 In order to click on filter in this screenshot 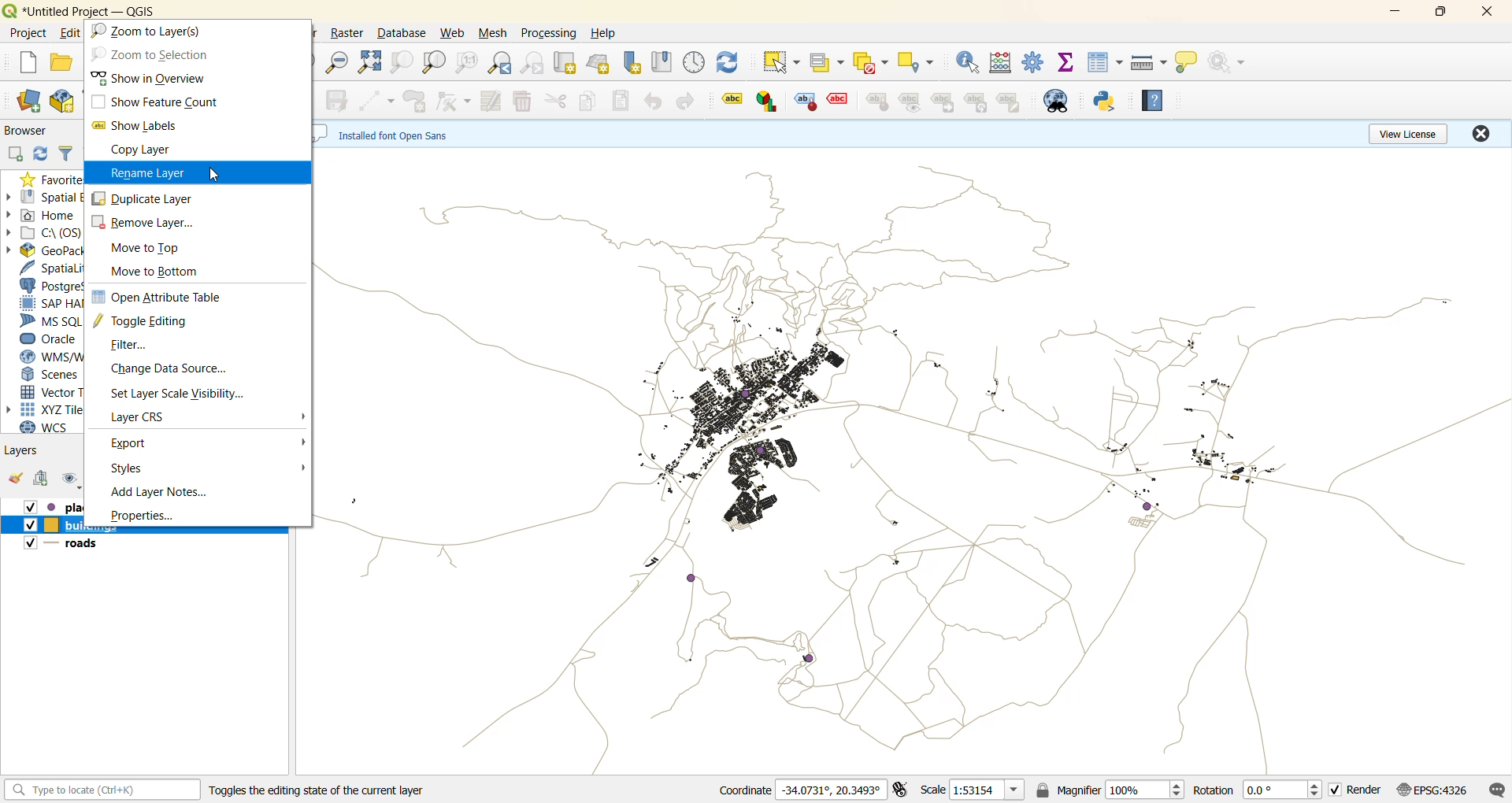, I will do `click(69, 154)`.